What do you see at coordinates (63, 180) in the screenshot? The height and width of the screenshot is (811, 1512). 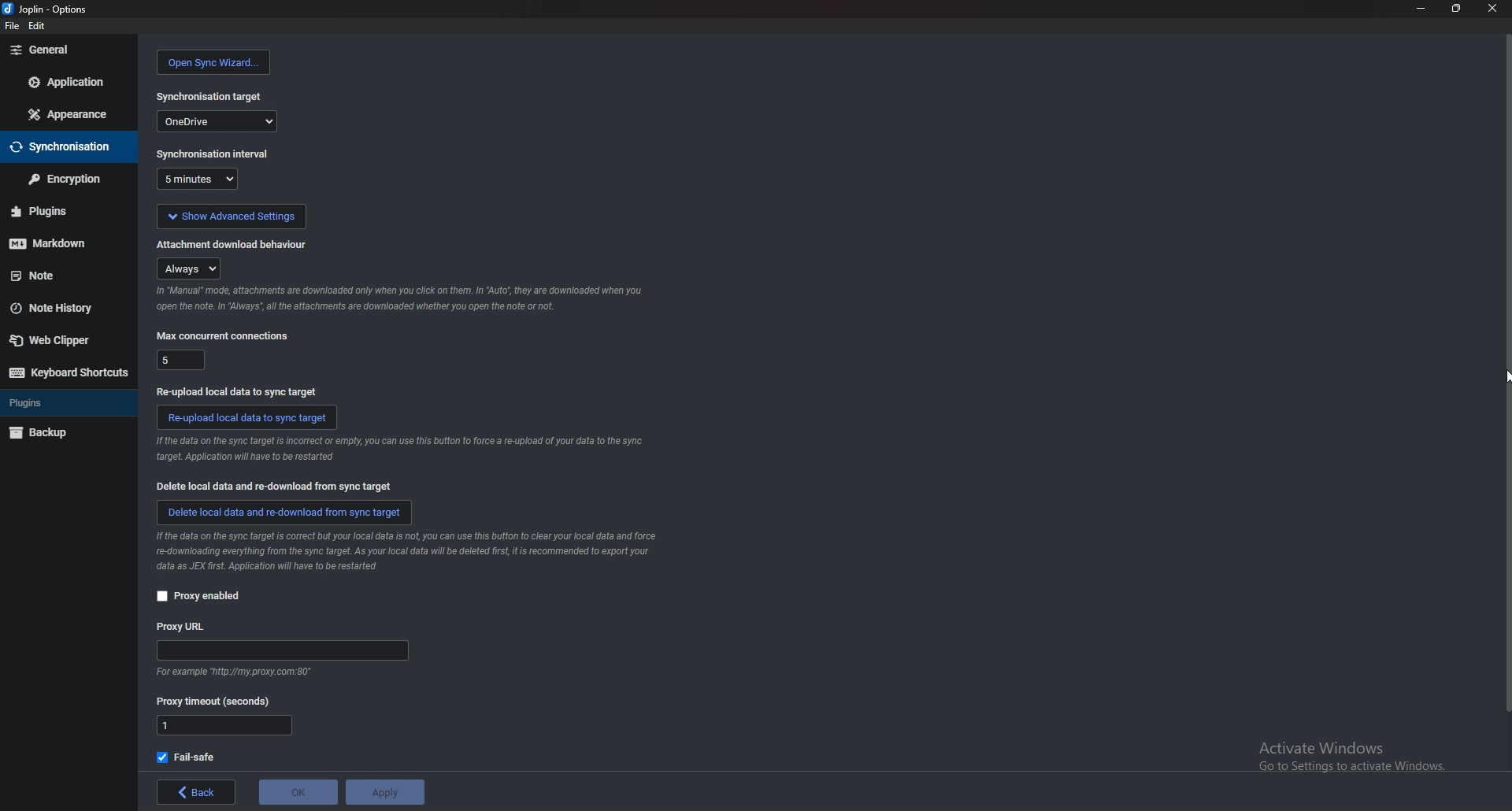 I see `encryption` at bounding box center [63, 180].